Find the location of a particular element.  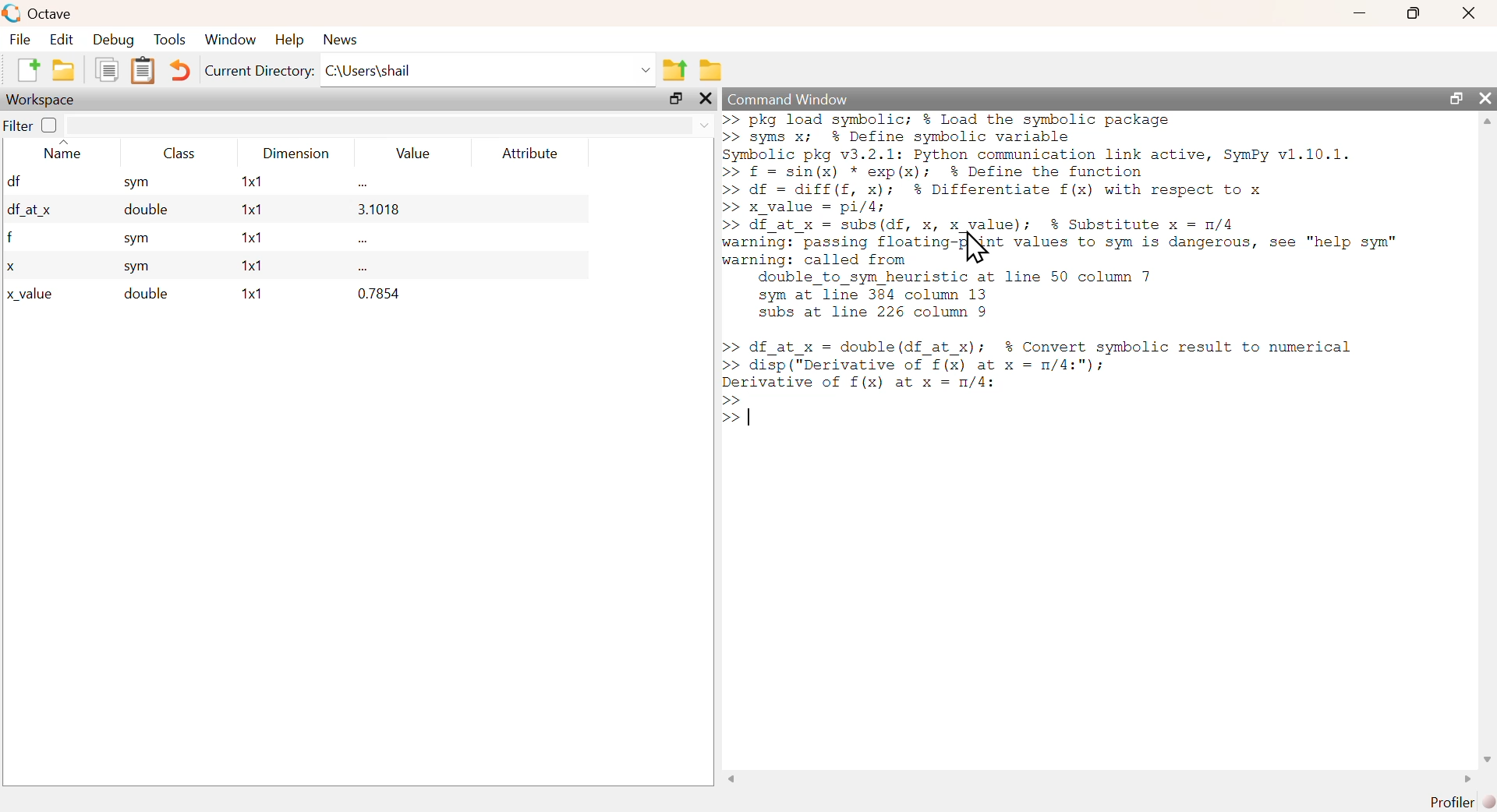

Command Window is located at coordinates (787, 101).